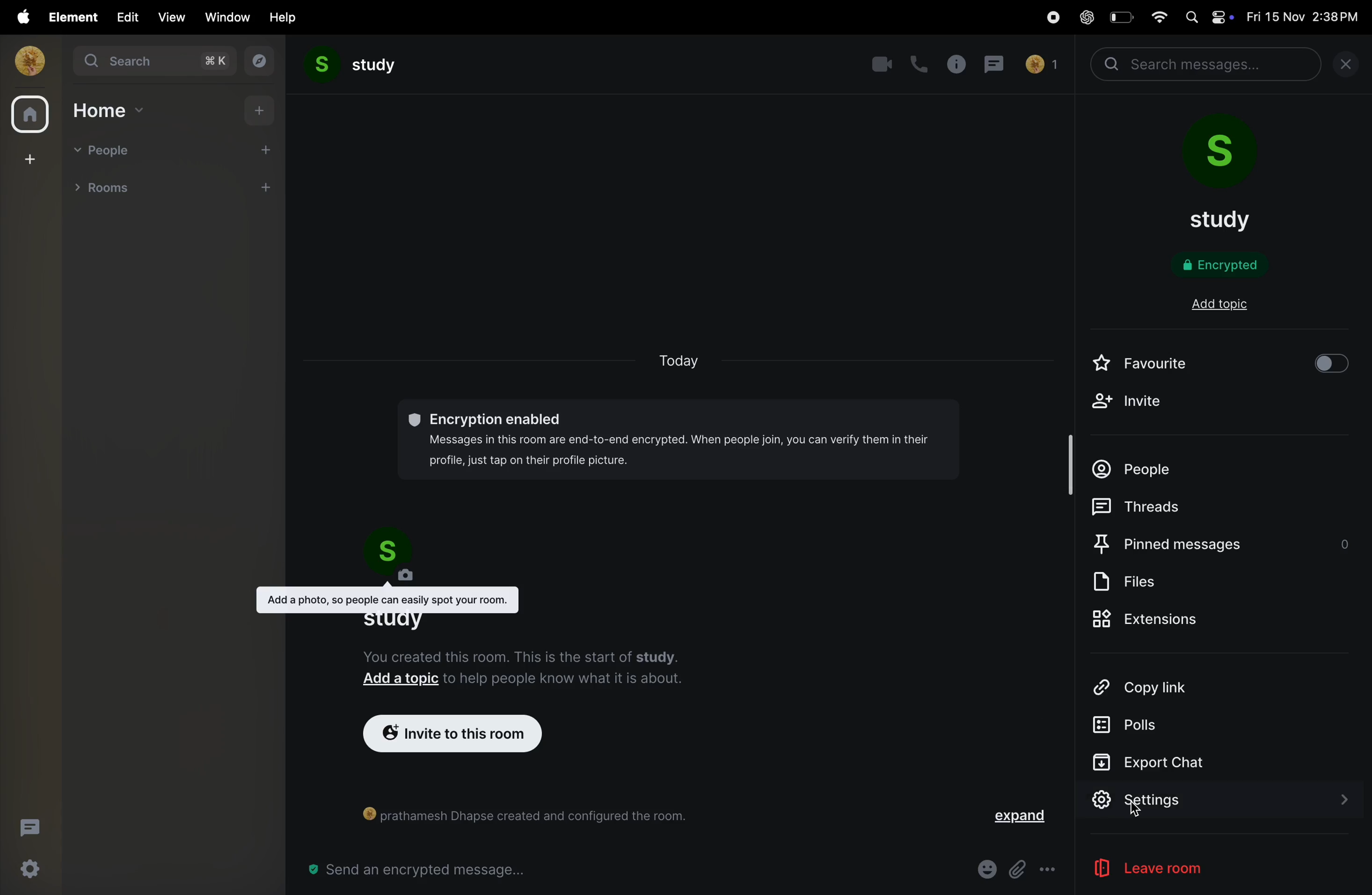  I want to click on study, so click(352, 66).